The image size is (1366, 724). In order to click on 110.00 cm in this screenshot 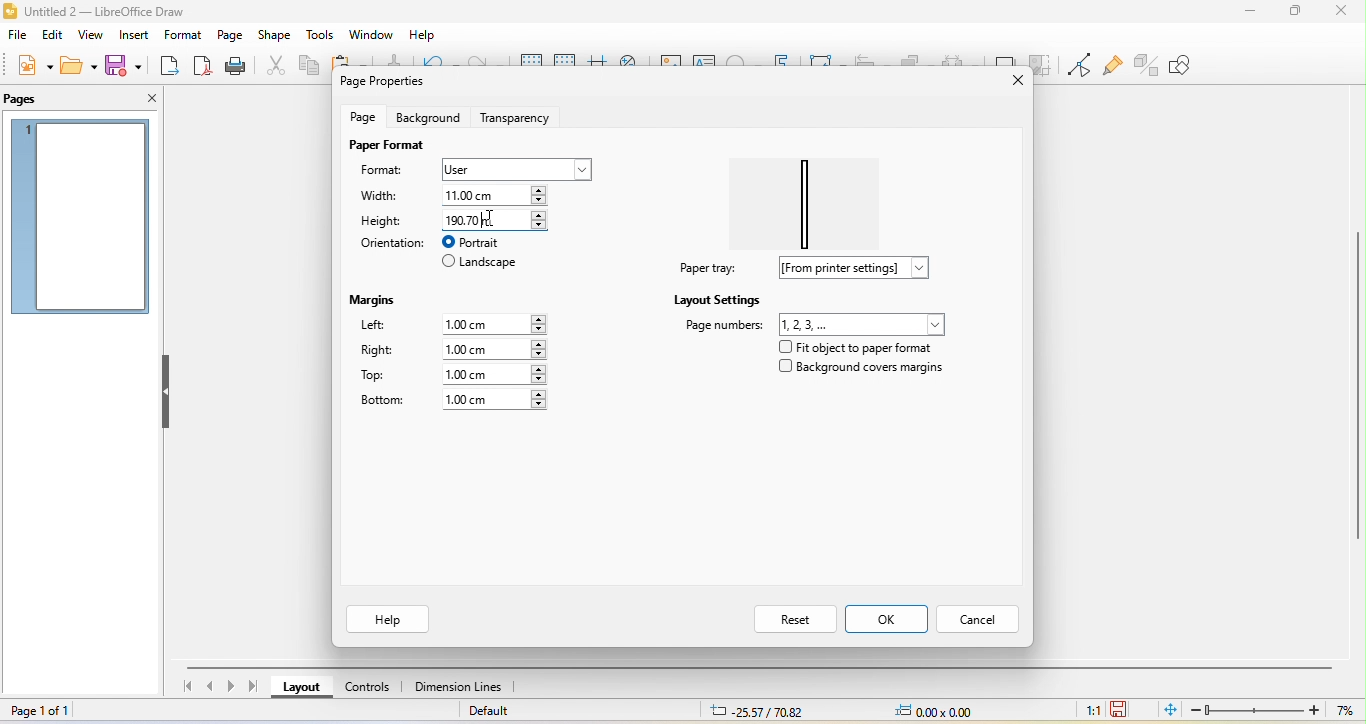, I will do `click(500, 194)`.